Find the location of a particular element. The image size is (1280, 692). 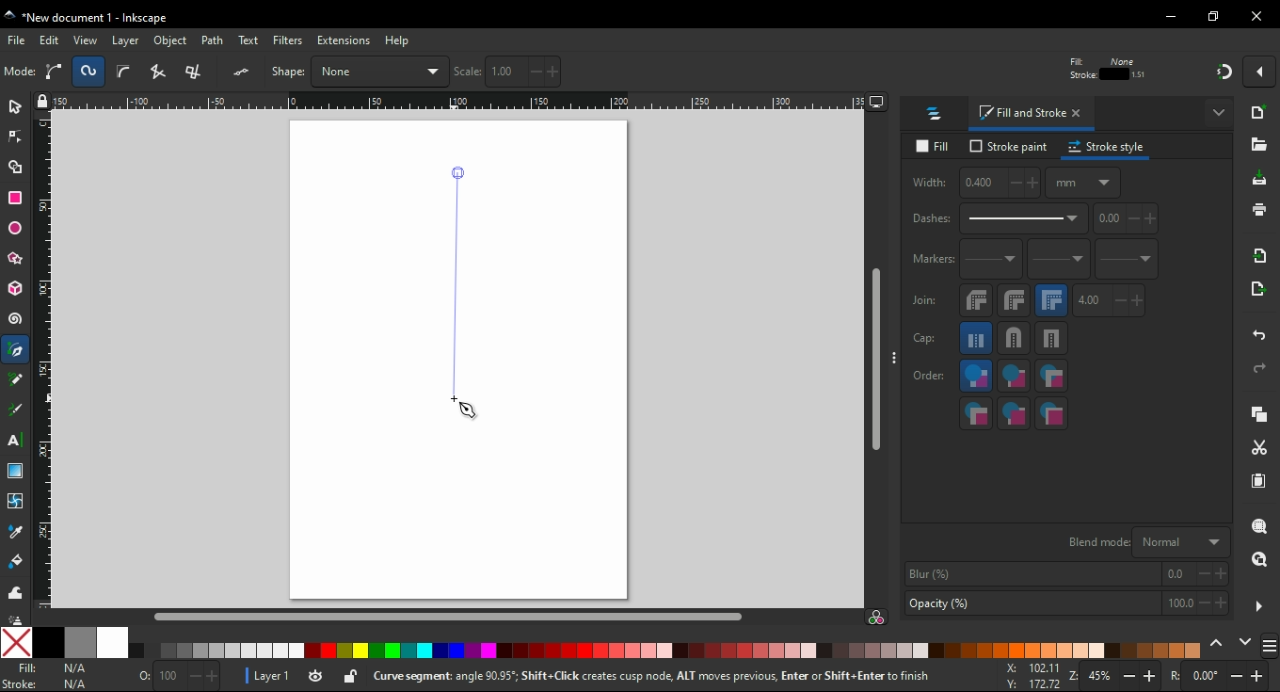

open export is located at coordinates (1256, 294).